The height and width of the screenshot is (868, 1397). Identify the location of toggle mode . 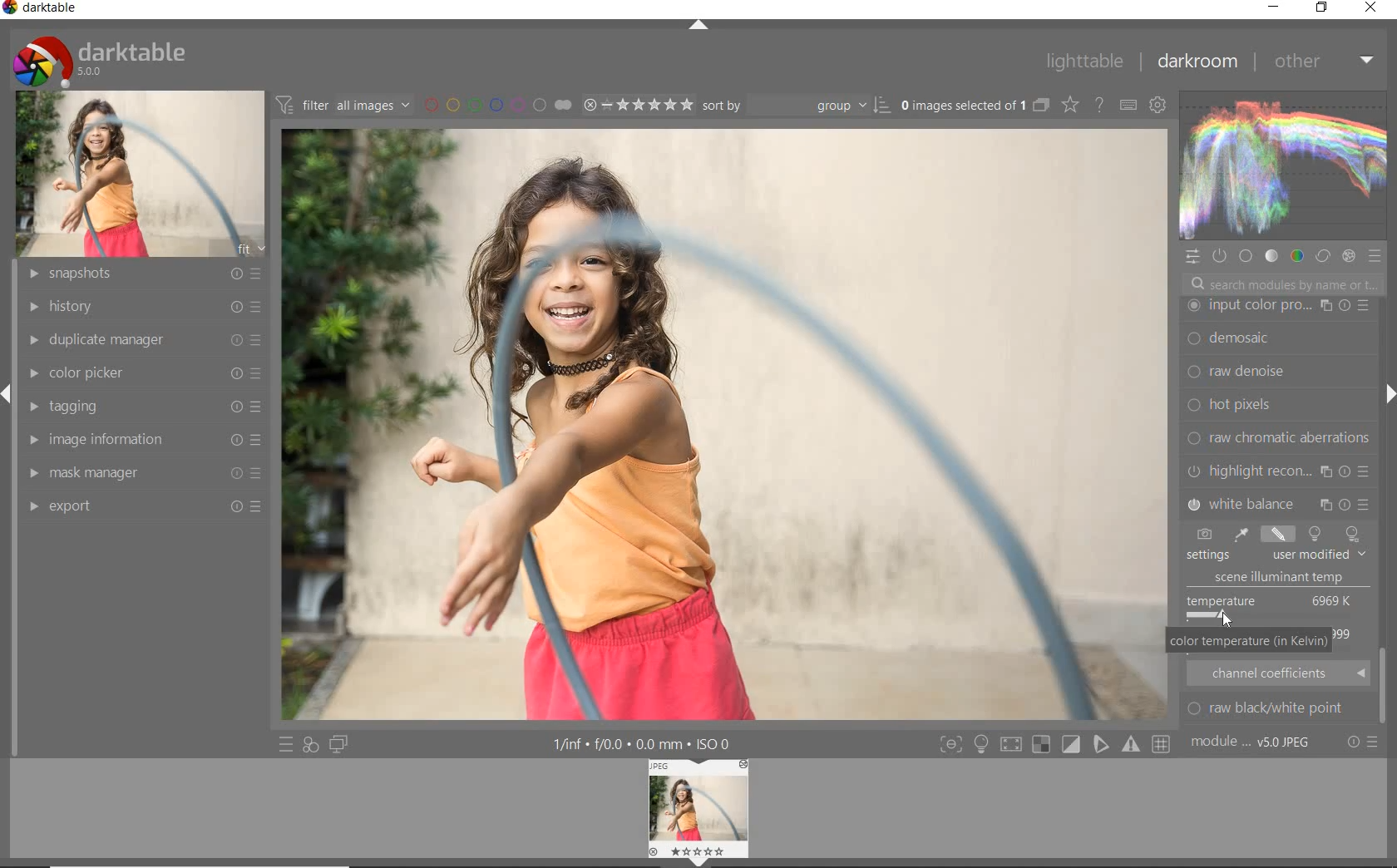
(1071, 744).